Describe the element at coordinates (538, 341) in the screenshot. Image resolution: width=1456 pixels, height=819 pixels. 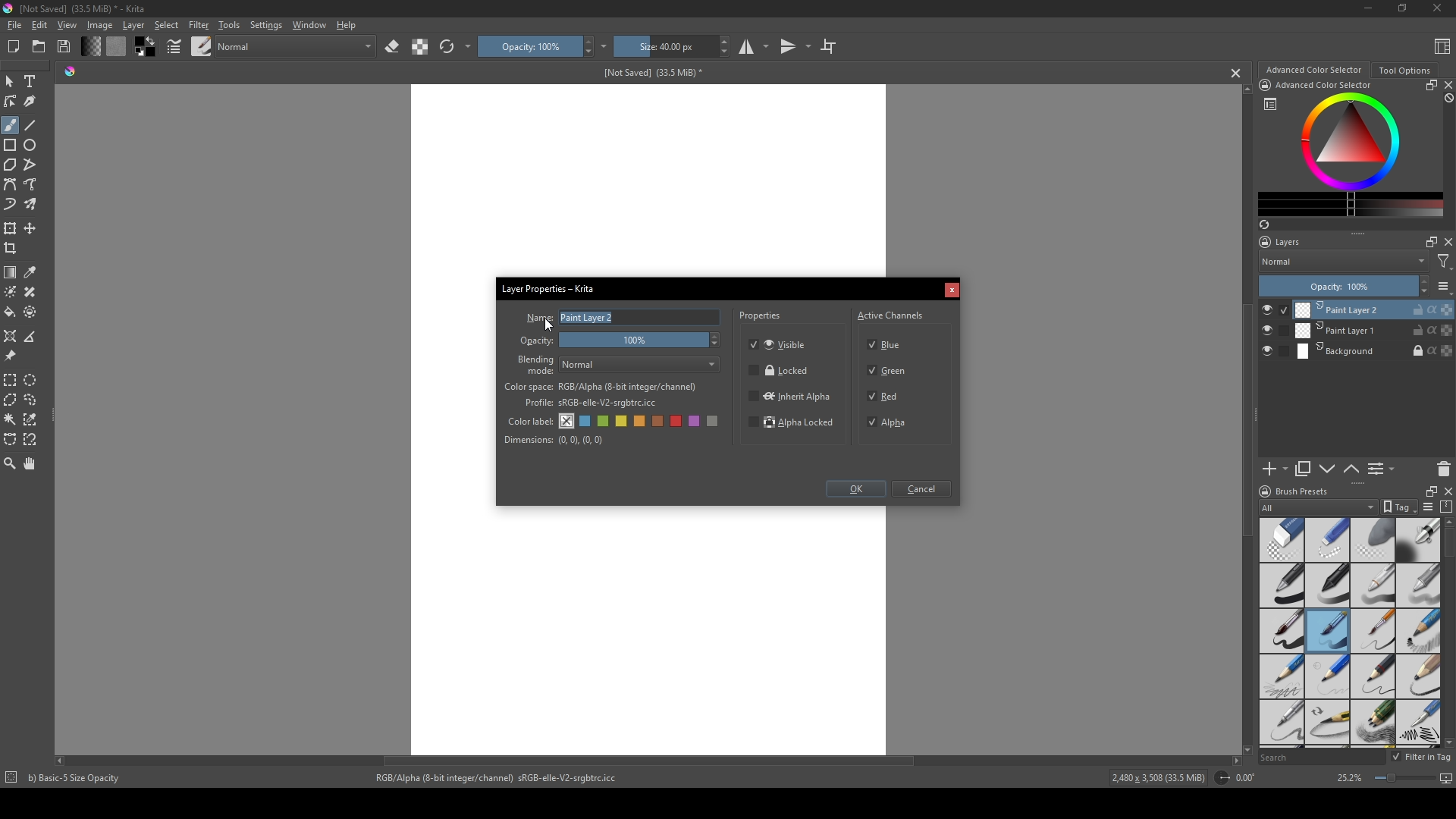
I see `Opacity` at that location.